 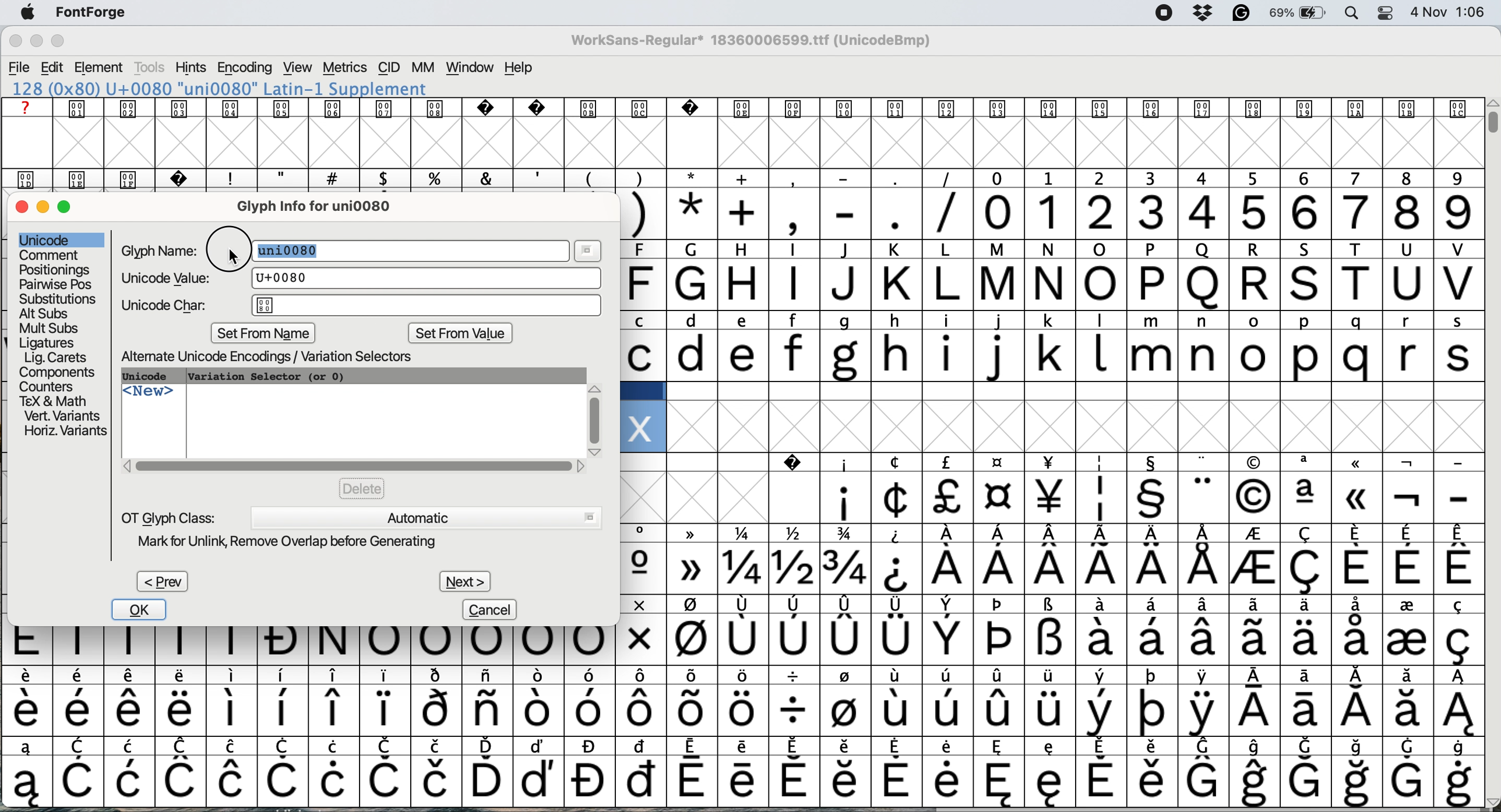 I want to click on system logo, so click(x=33, y=13).